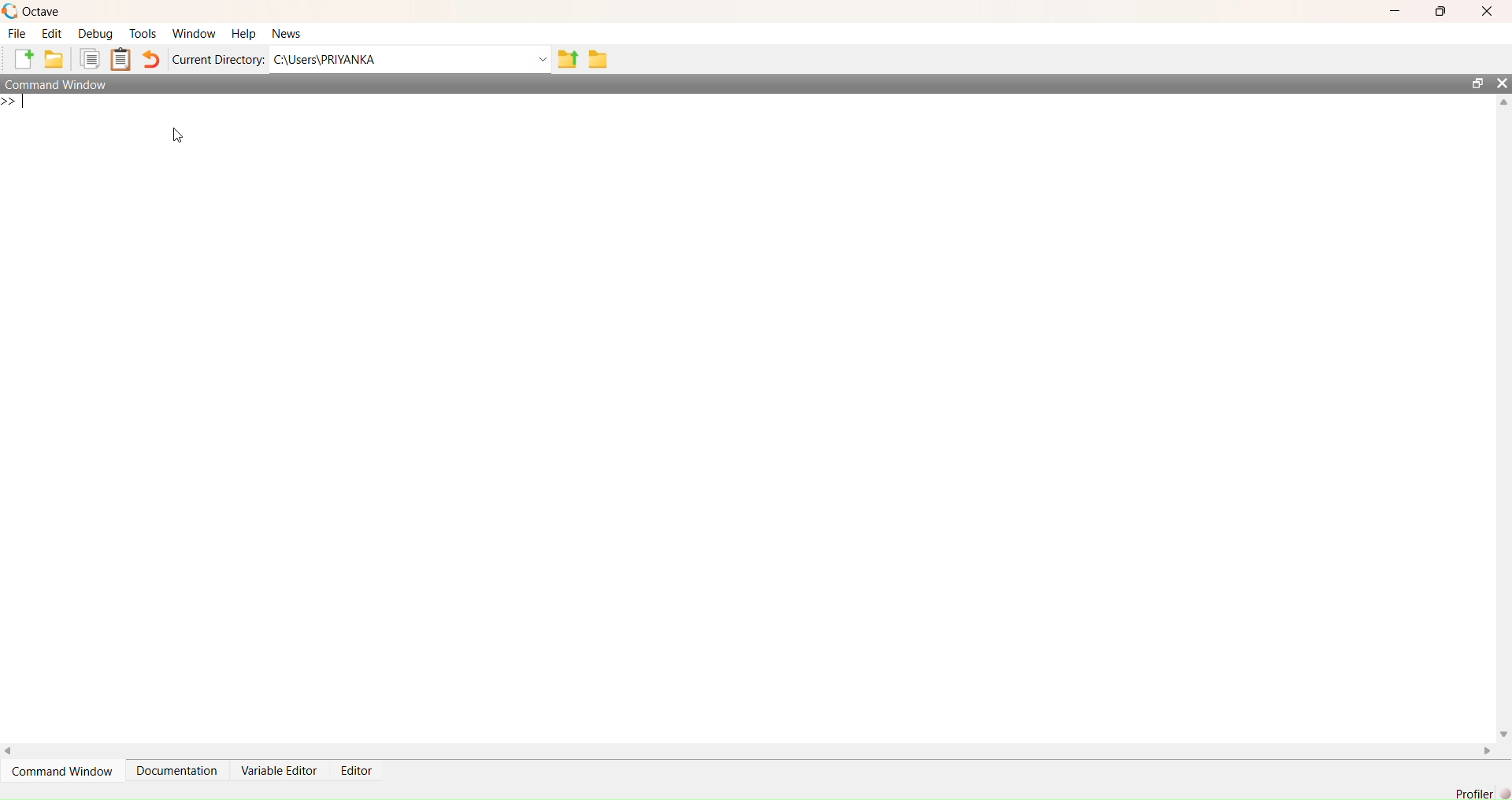  Describe the element at coordinates (52, 33) in the screenshot. I see `Edit` at that location.